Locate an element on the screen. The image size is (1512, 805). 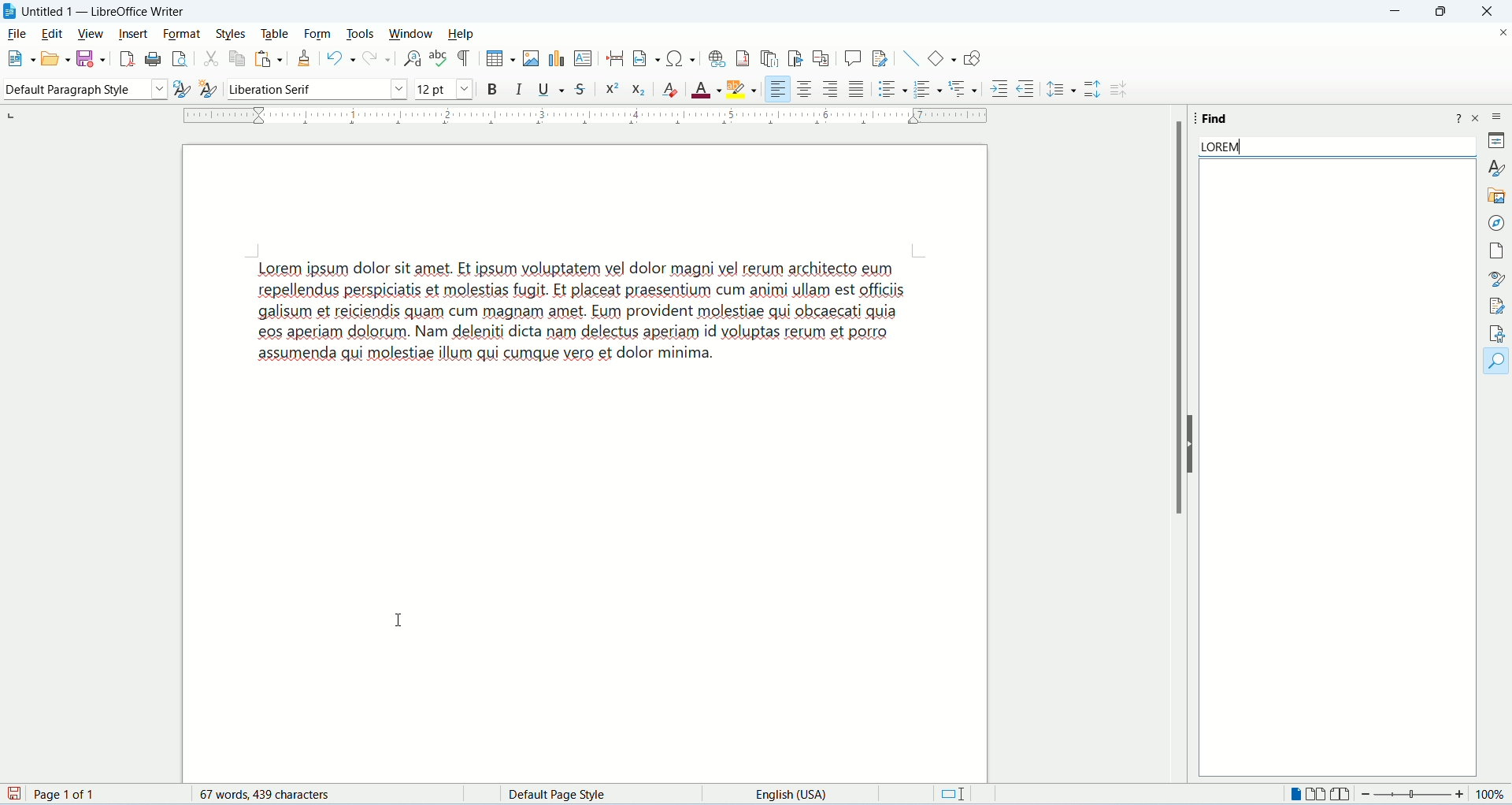
superscript is located at coordinates (612, 89).